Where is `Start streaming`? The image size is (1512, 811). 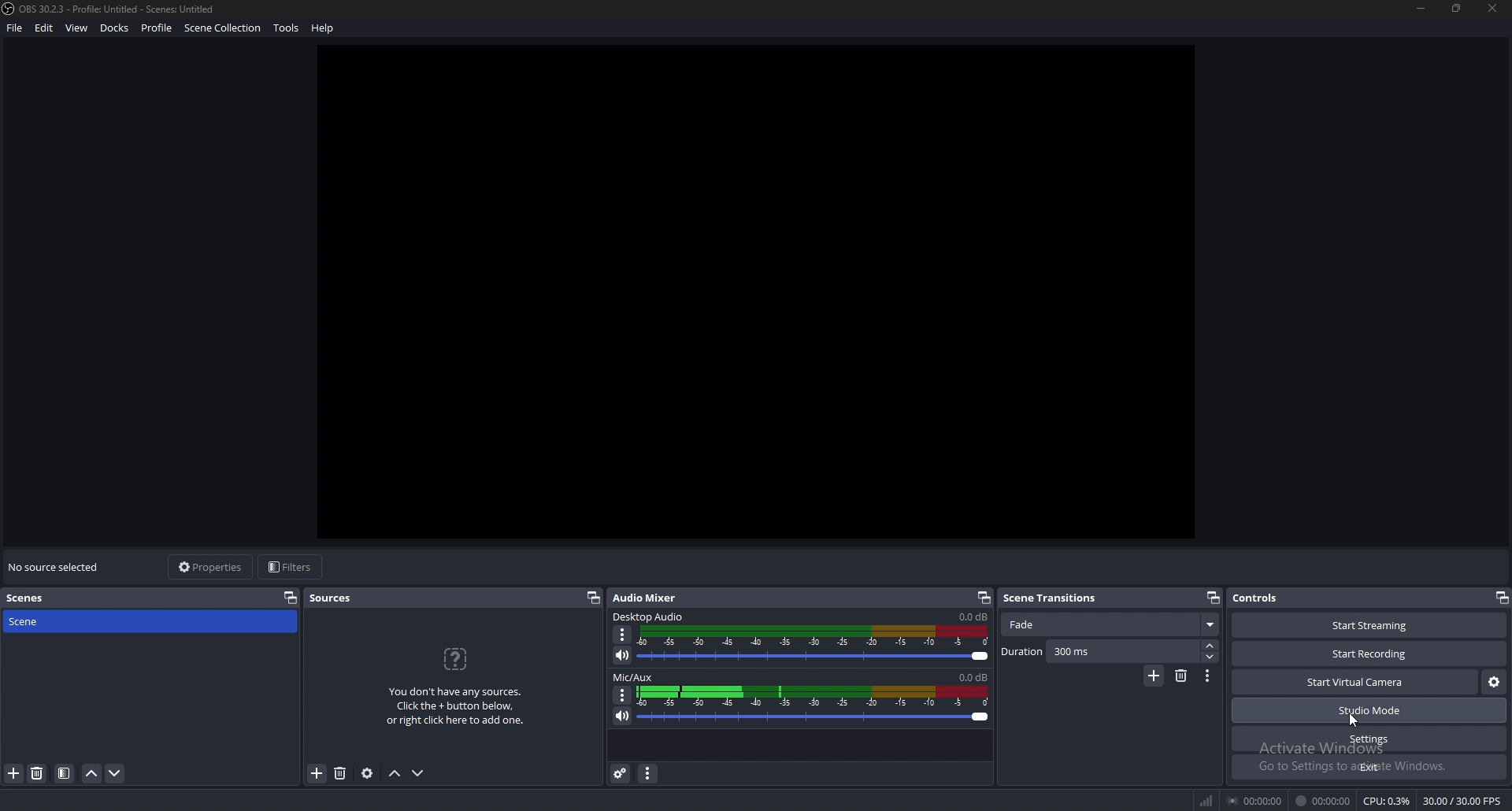
Start streaming is located at coordinates (1366, 624).